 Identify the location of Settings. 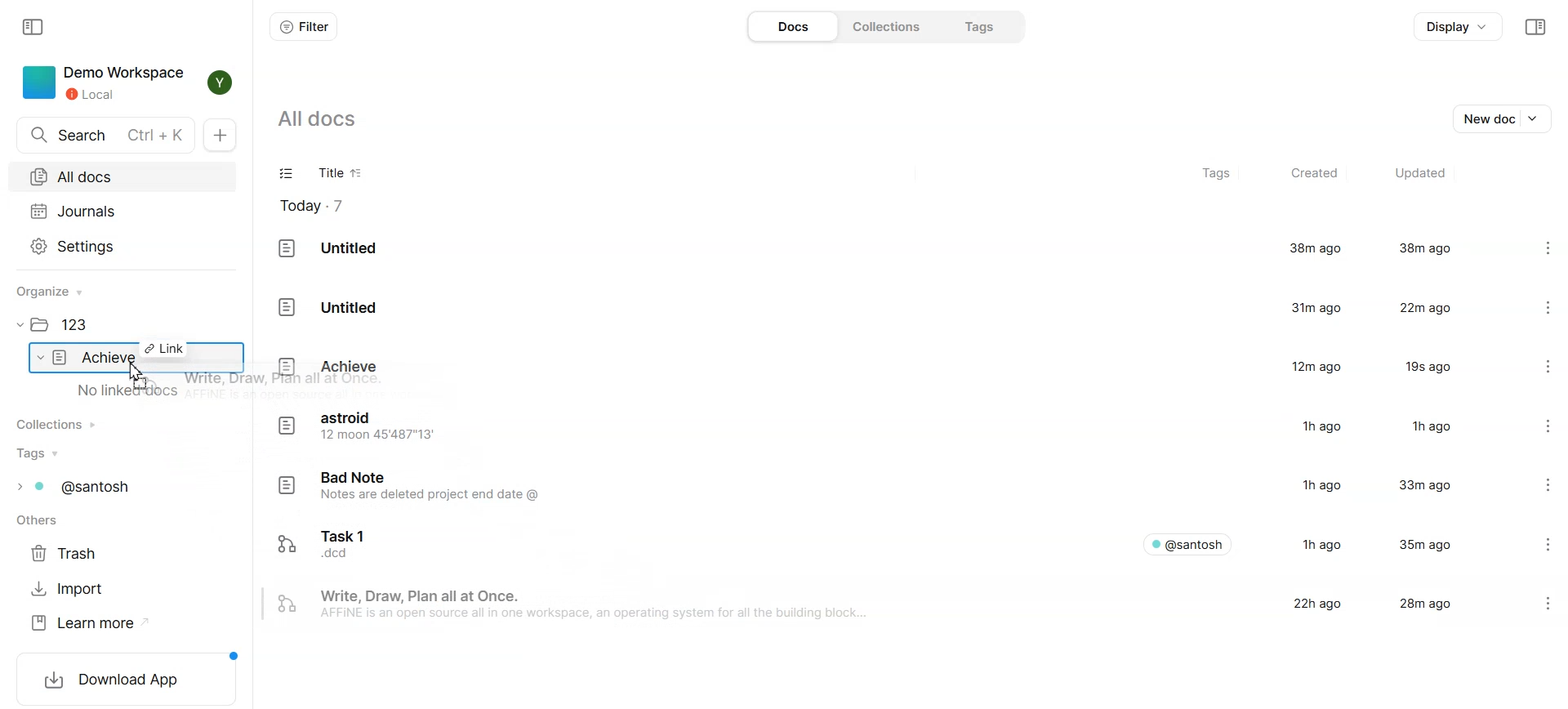
(1537, 488).